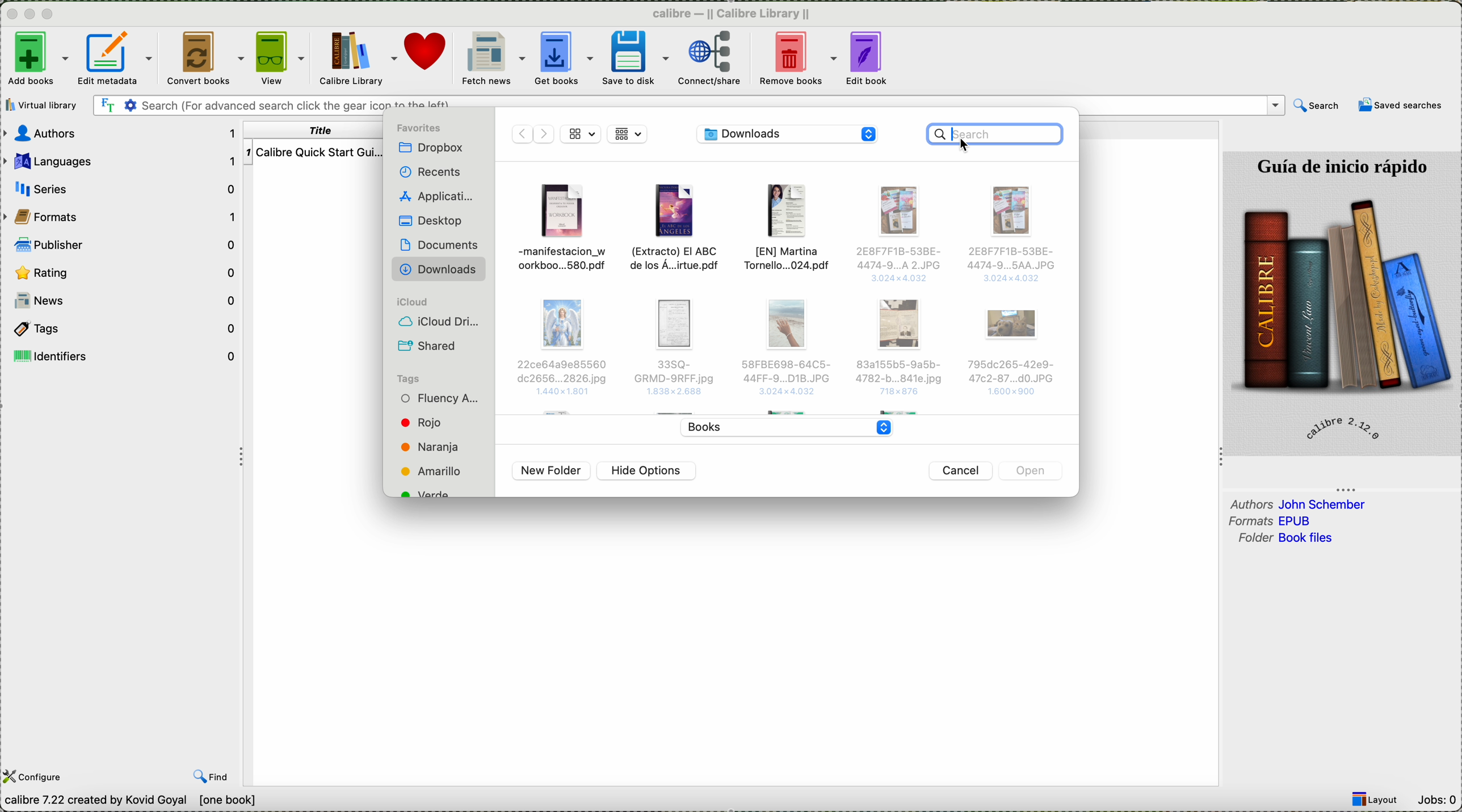  What do you see at coordinates (792, 134) in the screenshot?
I see `location` at bounding box center [792, 134].